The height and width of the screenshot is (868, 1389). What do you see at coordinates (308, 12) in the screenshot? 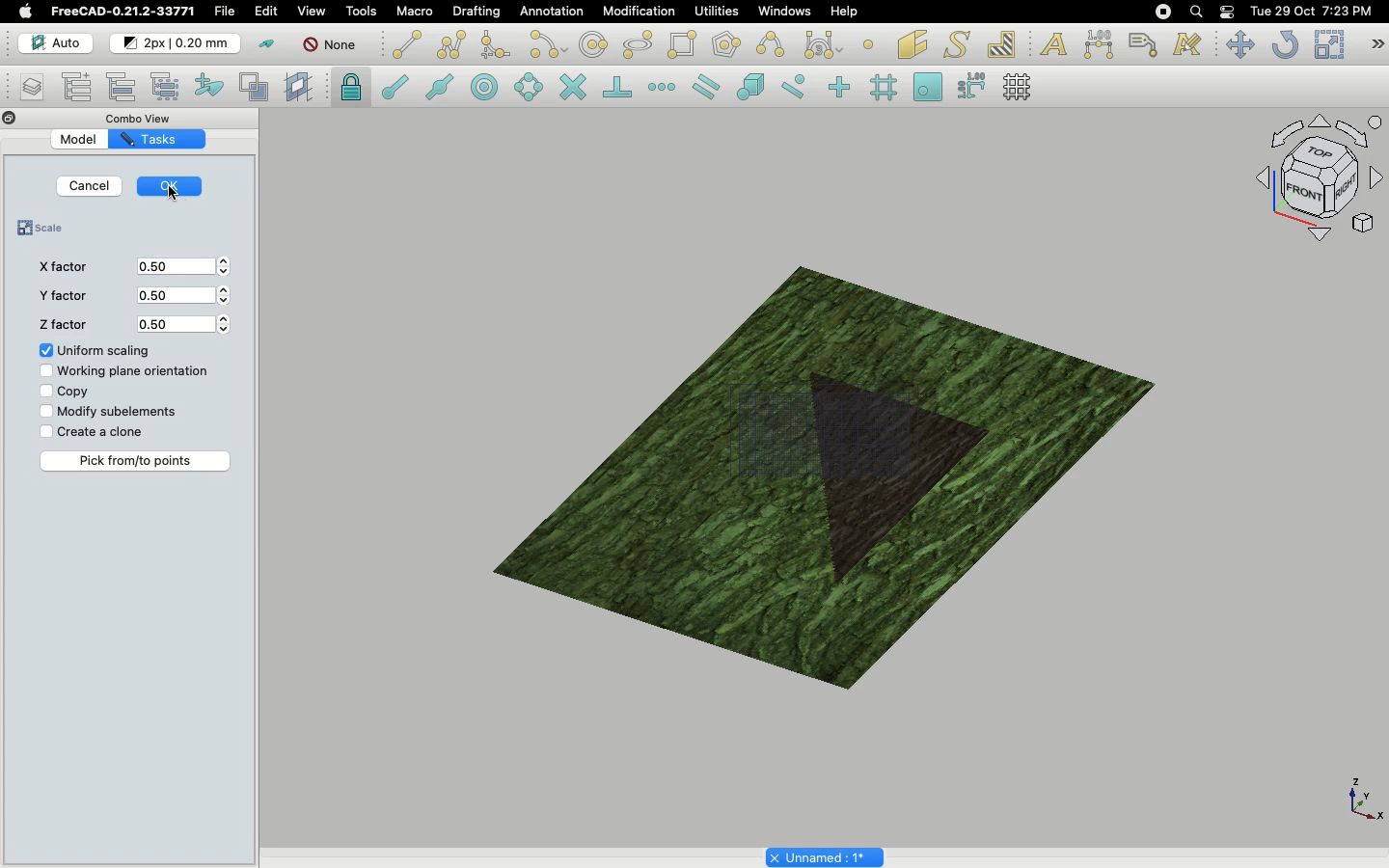
I see `View` at bounding box center [308, 12].